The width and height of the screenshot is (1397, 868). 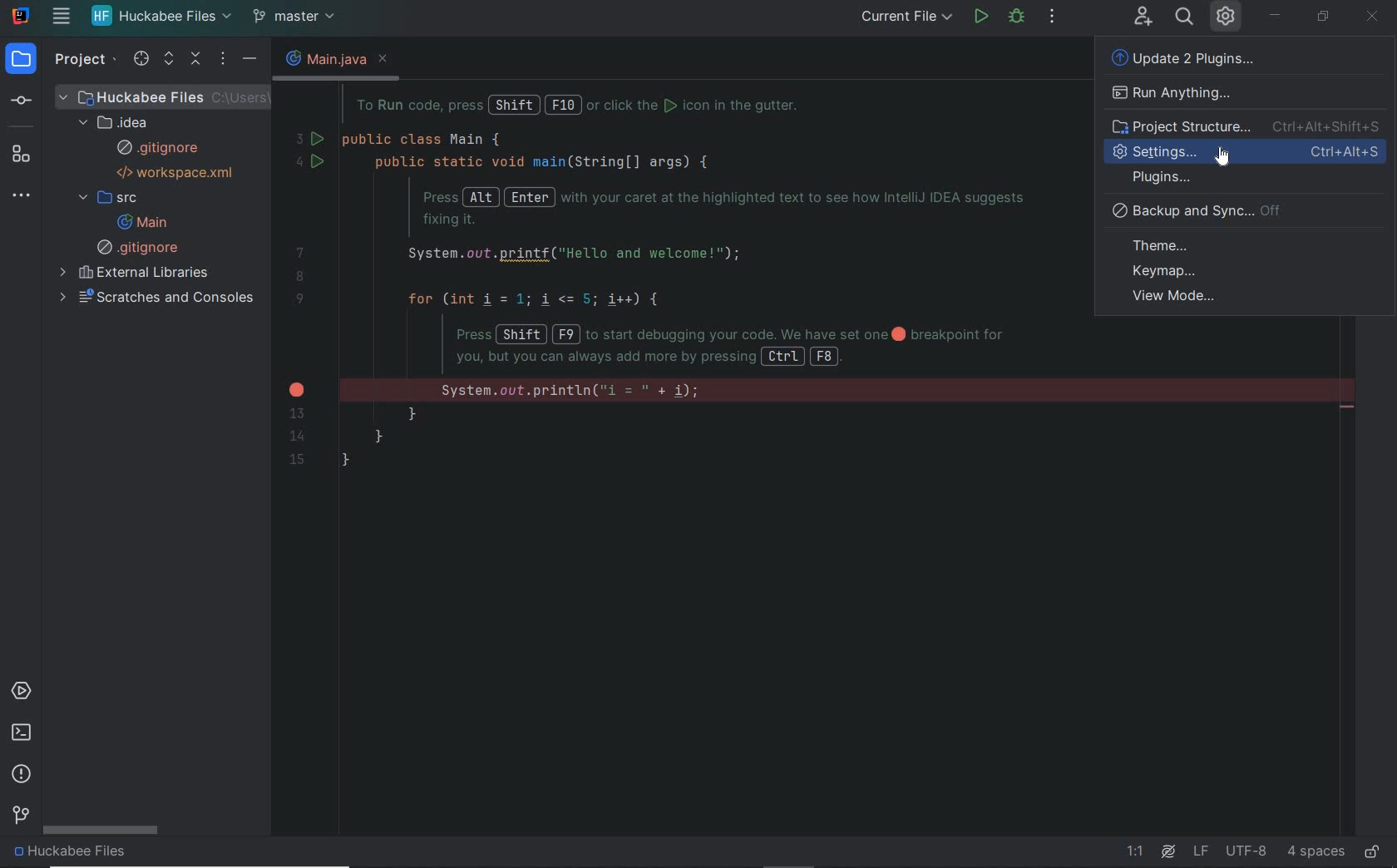 What do you see at coordinates (19, 817) in the screenshot?
I see `Git` at bounding box center [19, 817].